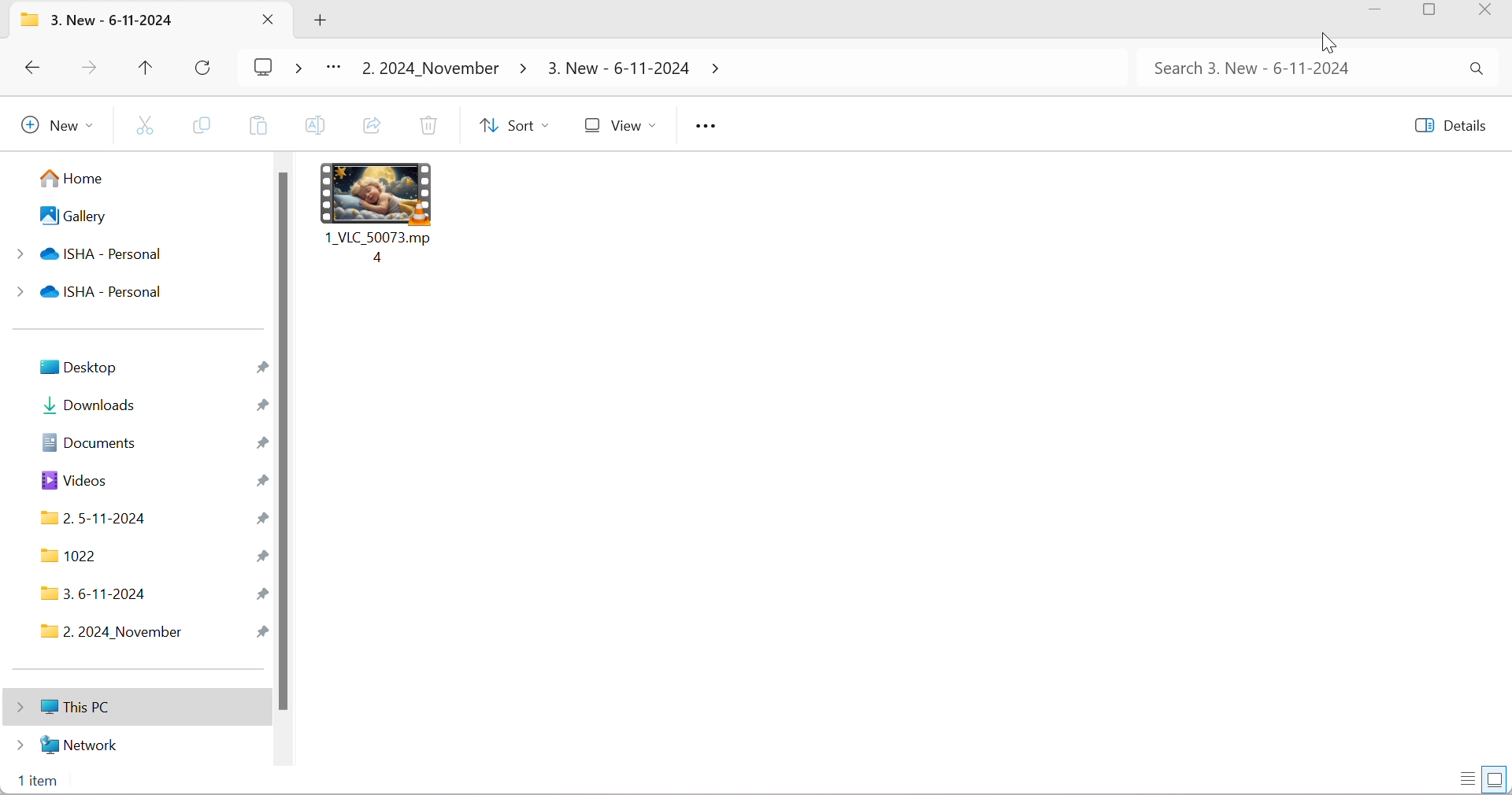  Describe the element at coordinates (98, 519) in the screenshot. I see `2. 2-11-2024` at that location.